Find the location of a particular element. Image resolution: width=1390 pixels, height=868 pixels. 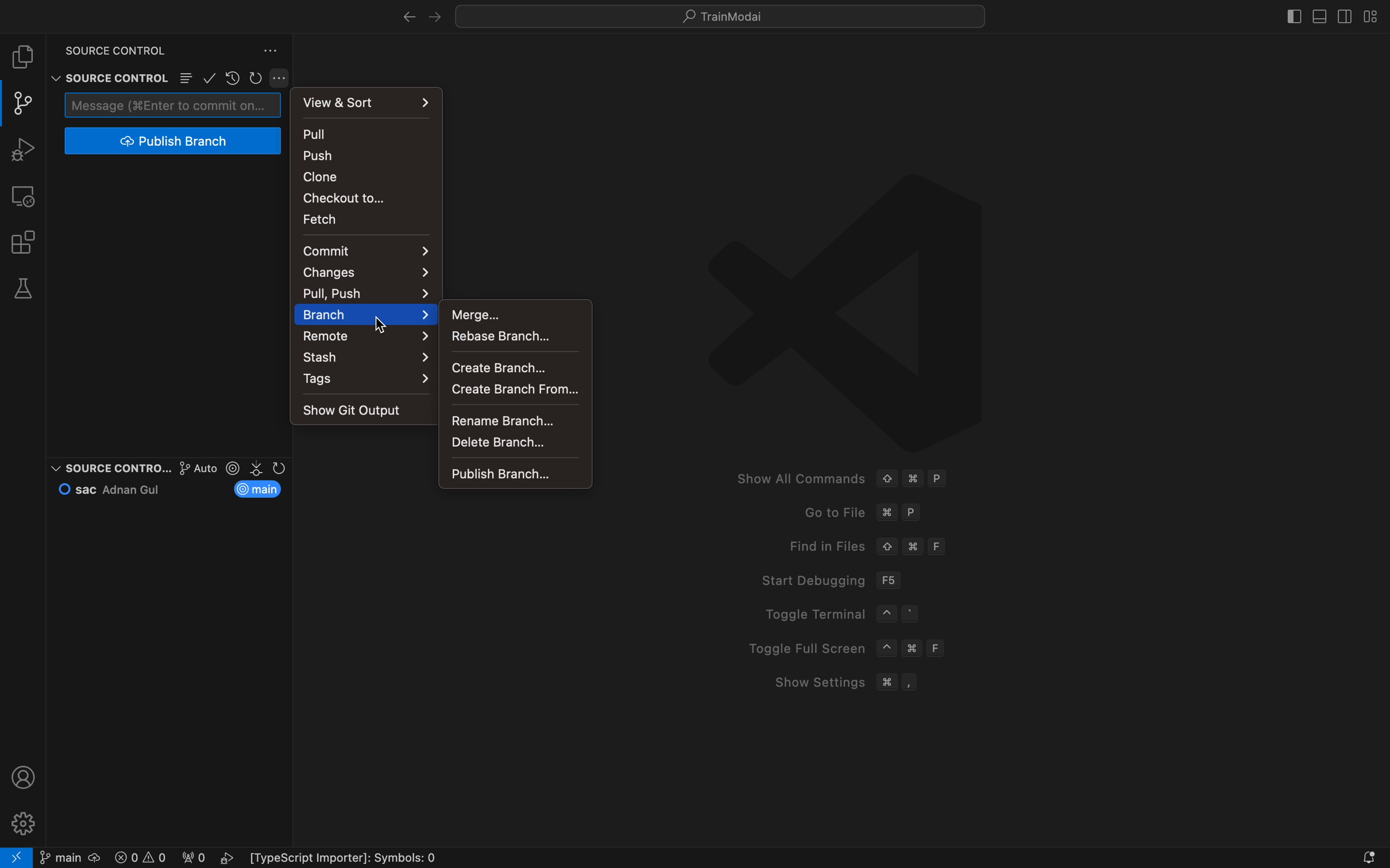

layouts is located at coordinates (1368, 16).